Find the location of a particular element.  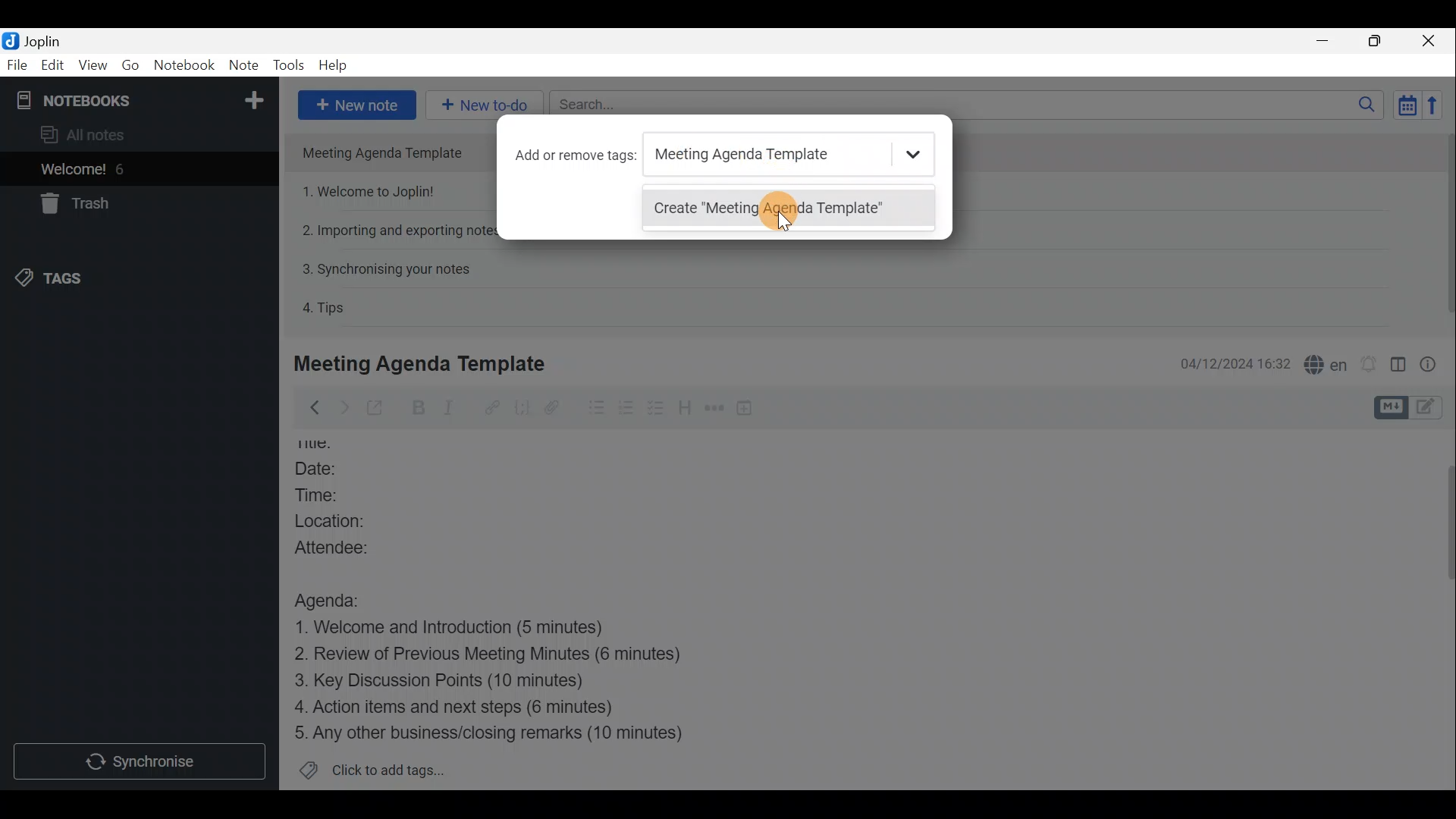

1. Welcome and Introduction (5 minutes) is located at coordinates (474, 629).